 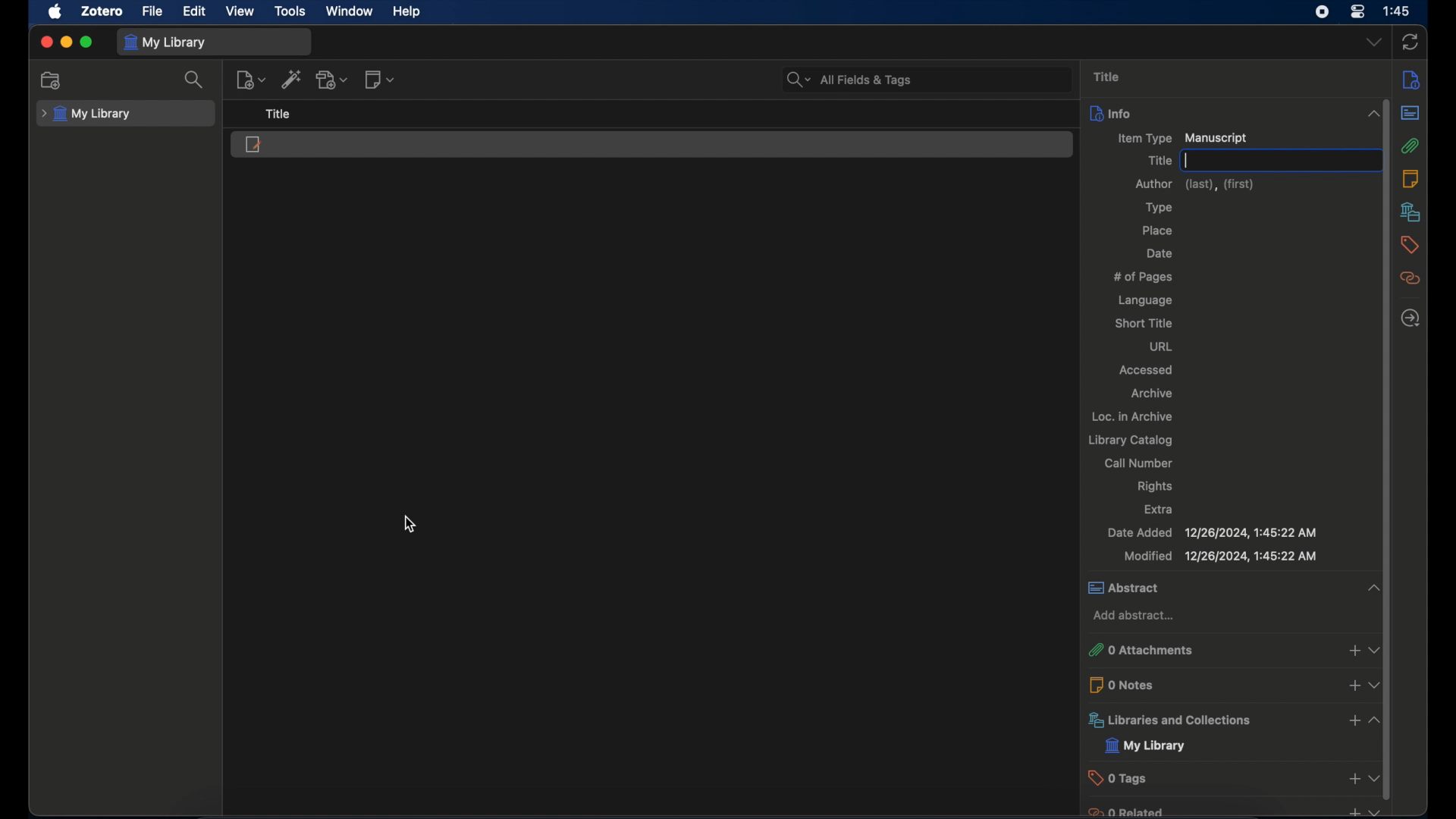 What do you see at coordinates (1150, 393) in the screenshot?
I see `archive` at bounding box center [1150, 393].